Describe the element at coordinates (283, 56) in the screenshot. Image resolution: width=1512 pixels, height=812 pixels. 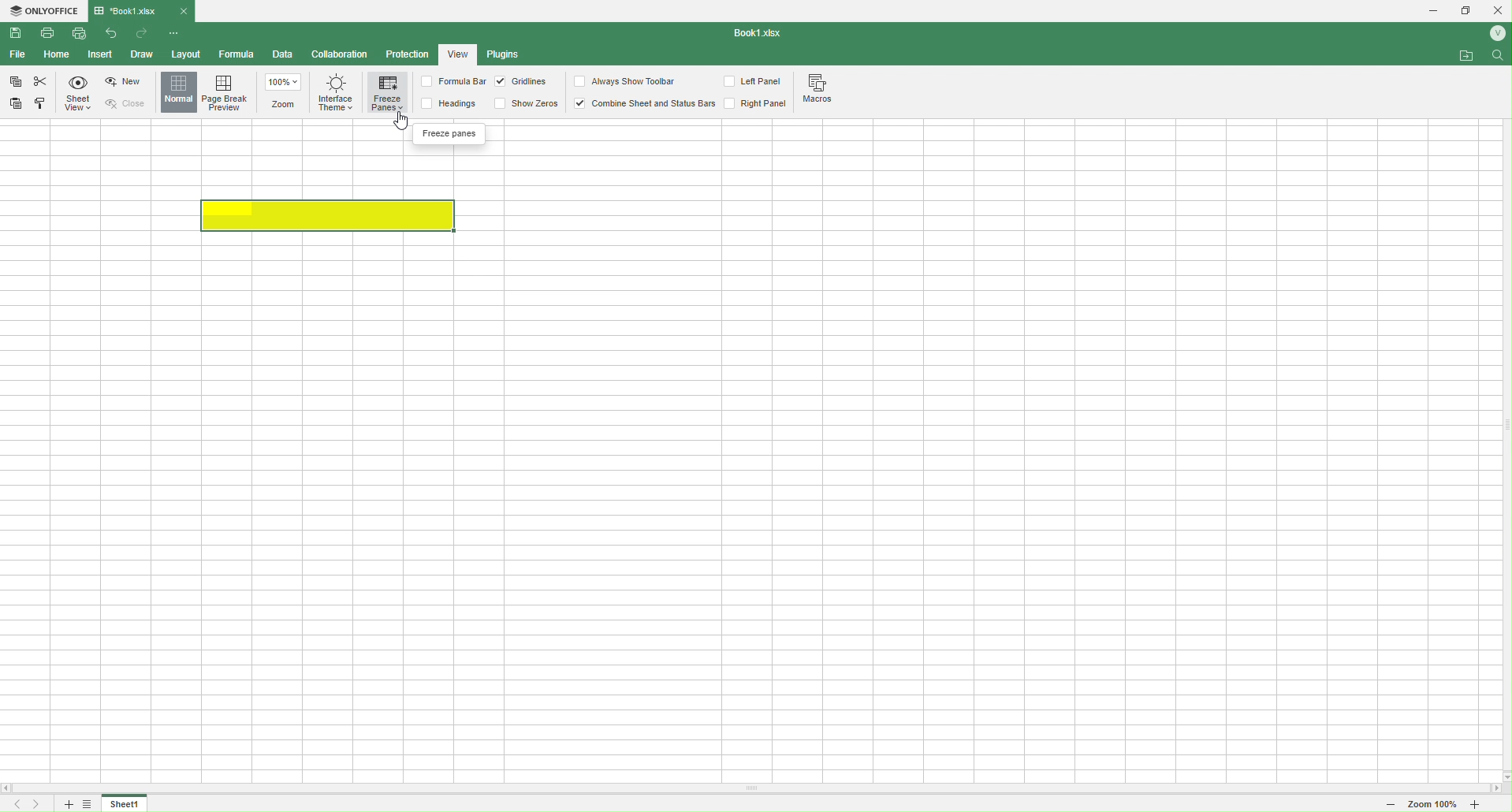
I see `Data` at that location.